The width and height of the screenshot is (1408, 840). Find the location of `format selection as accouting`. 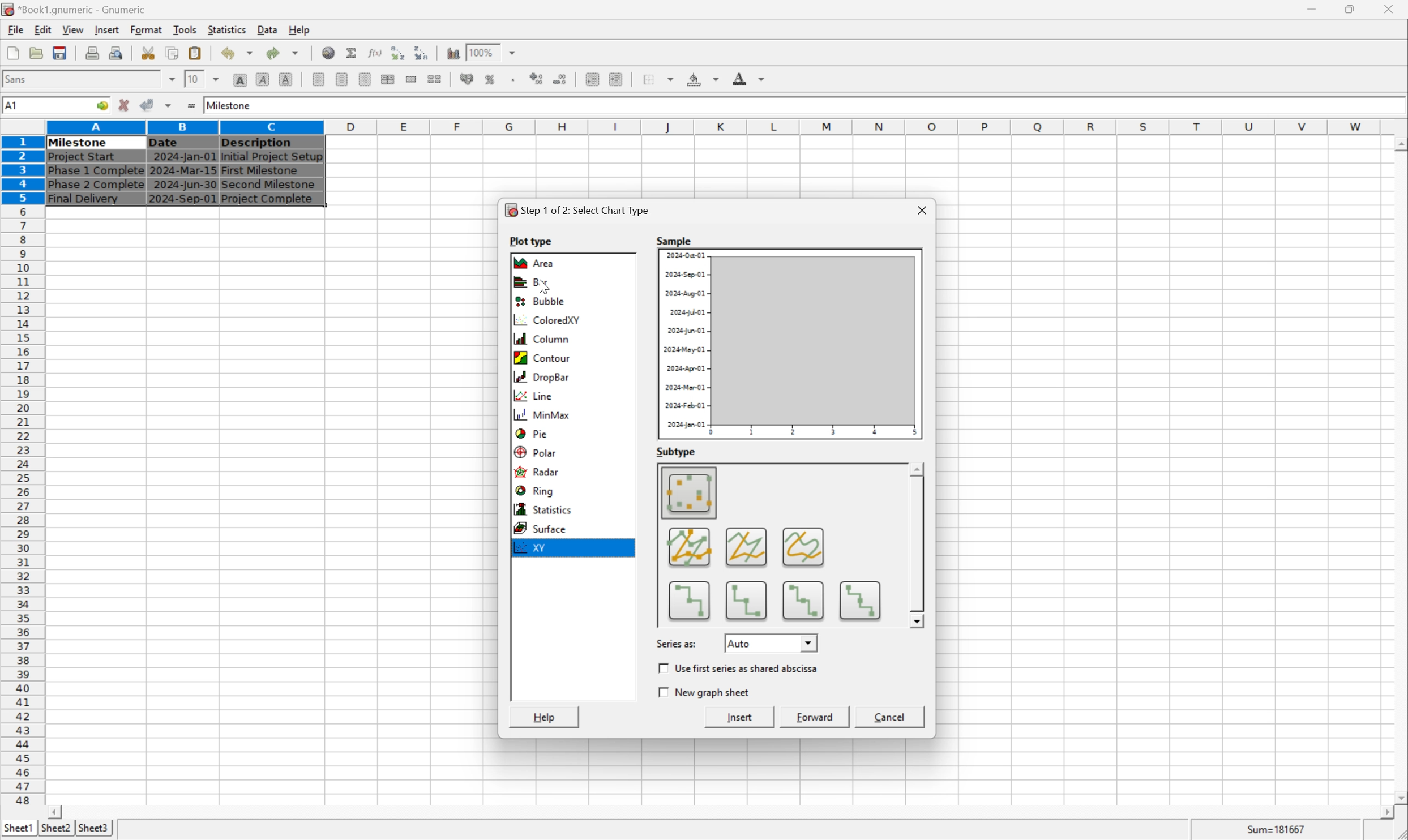

format selection as accouting is located at coordinates (468, 79).